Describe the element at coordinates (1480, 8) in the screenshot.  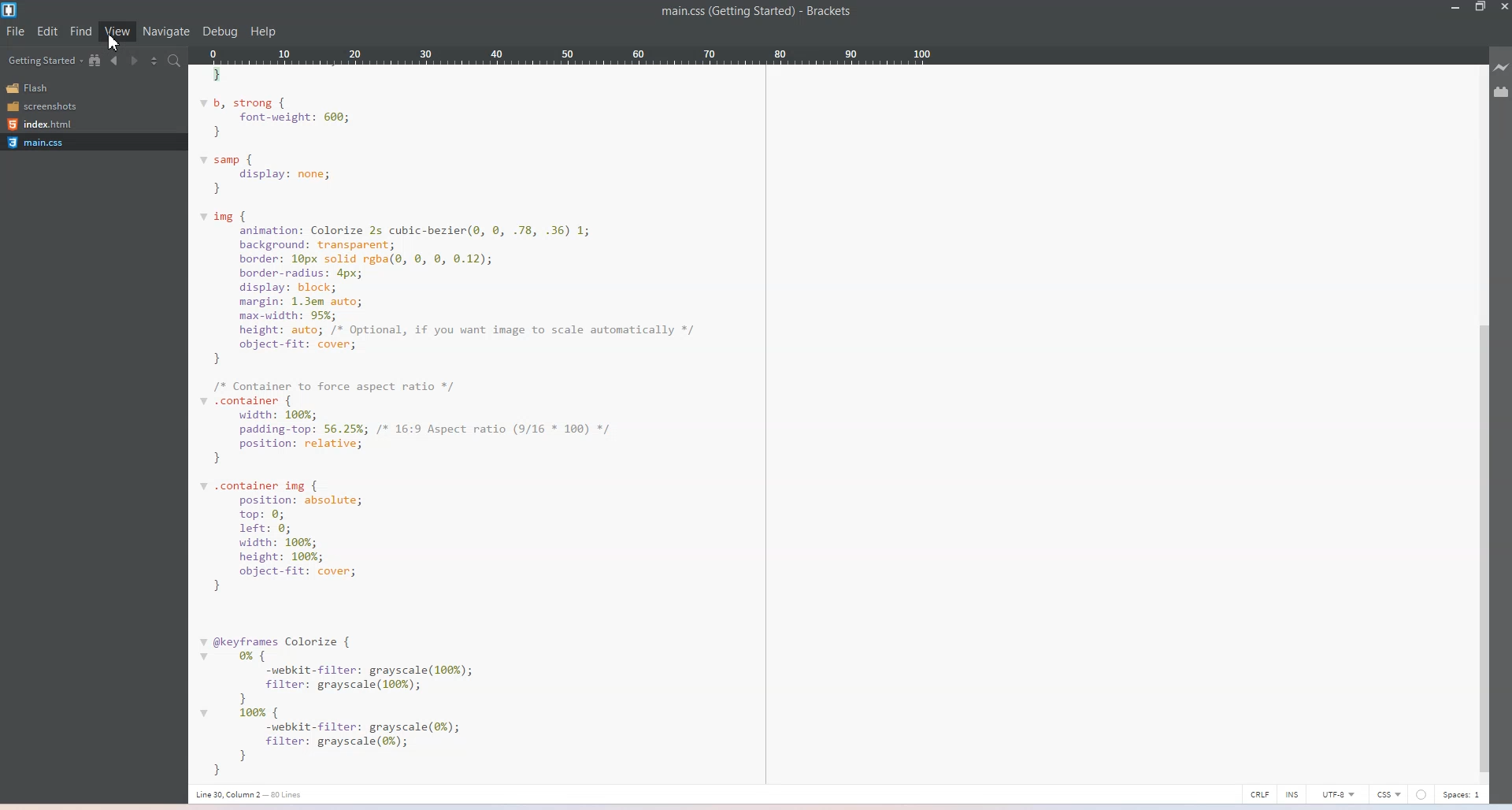
I see `Maximize` at that location.